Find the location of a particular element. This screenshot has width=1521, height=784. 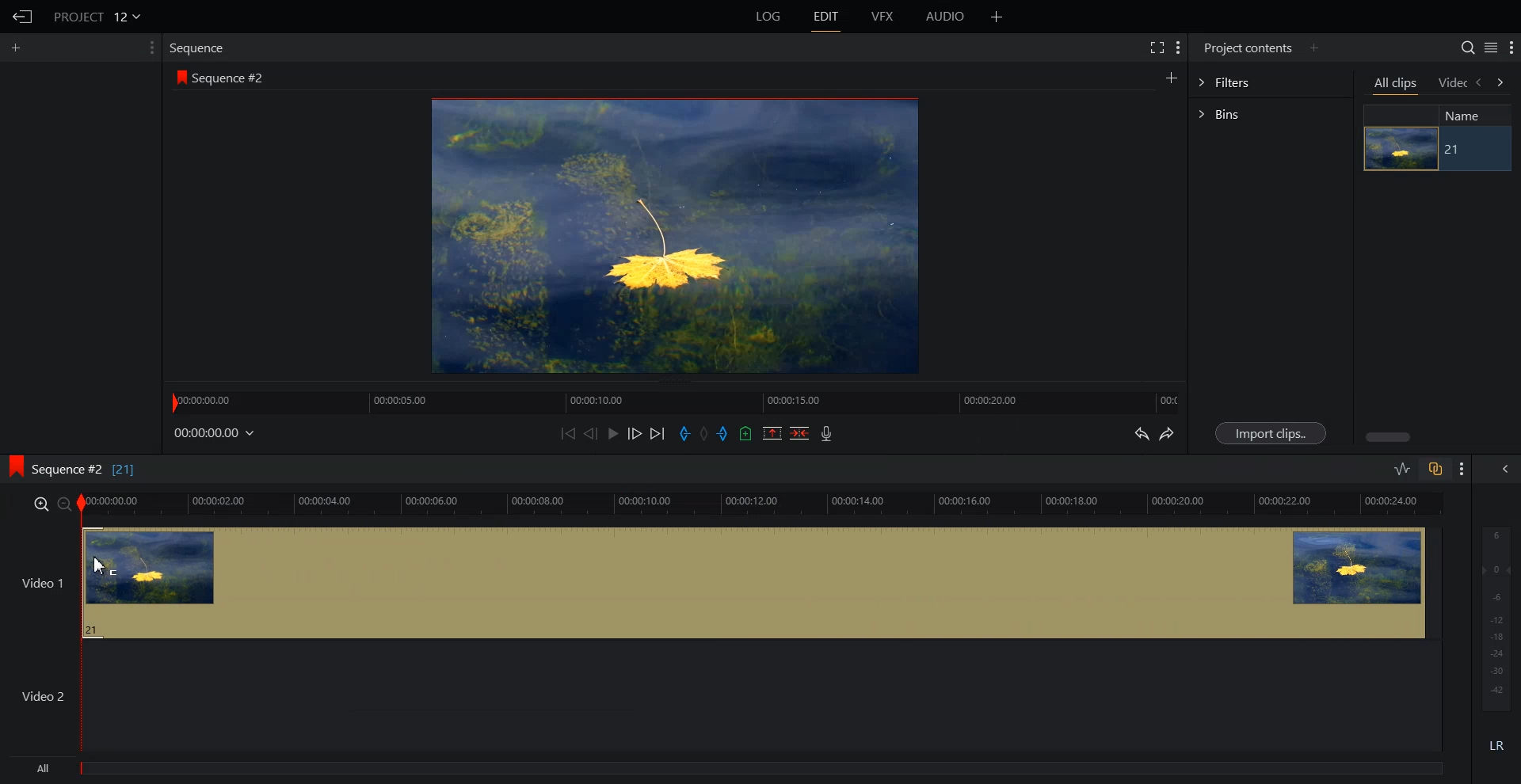

Sequence #2 [21] is located at coordinates (87, 467).